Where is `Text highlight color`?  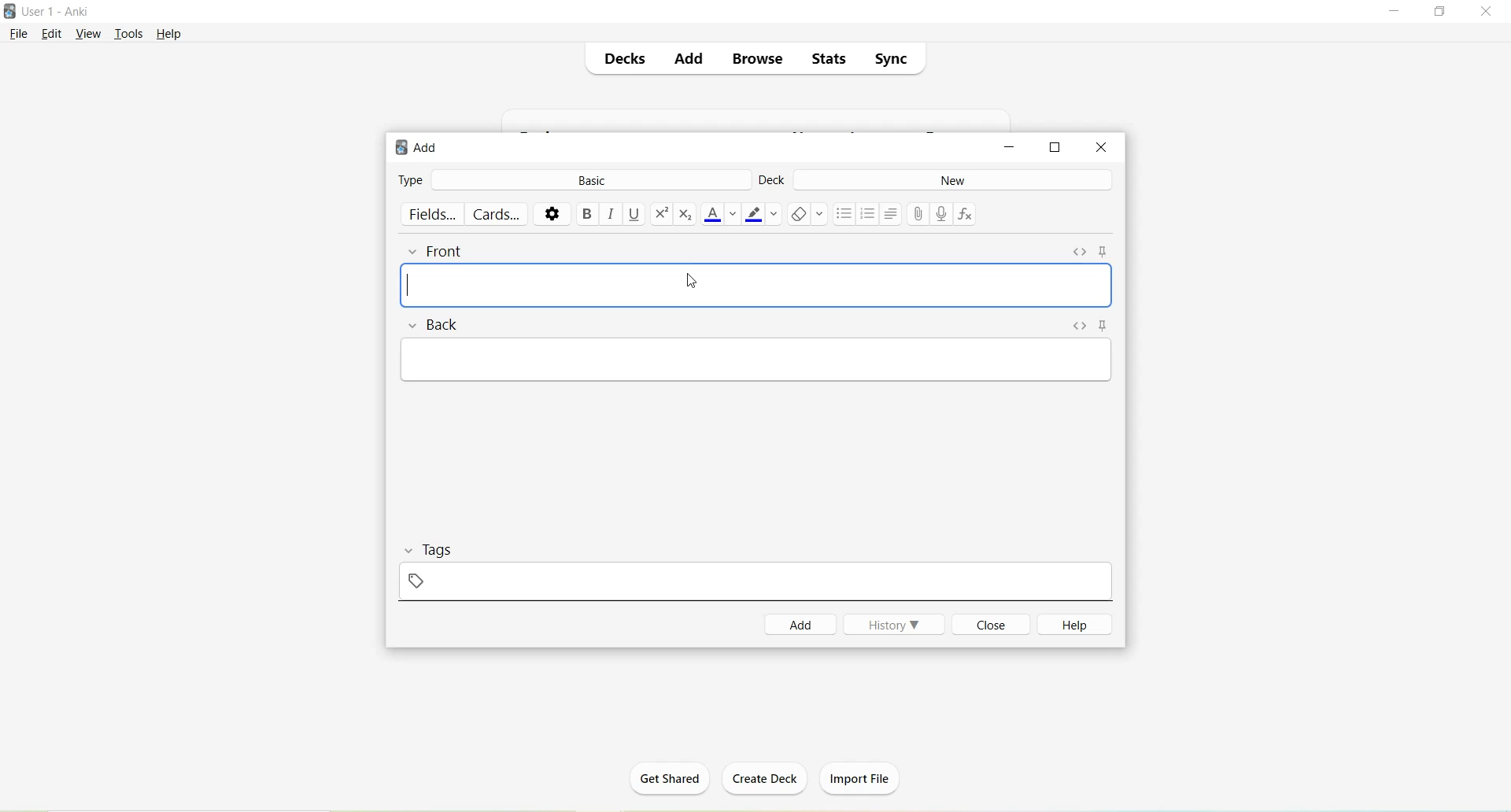
Text highlight color is located at coordinates (762, 213).